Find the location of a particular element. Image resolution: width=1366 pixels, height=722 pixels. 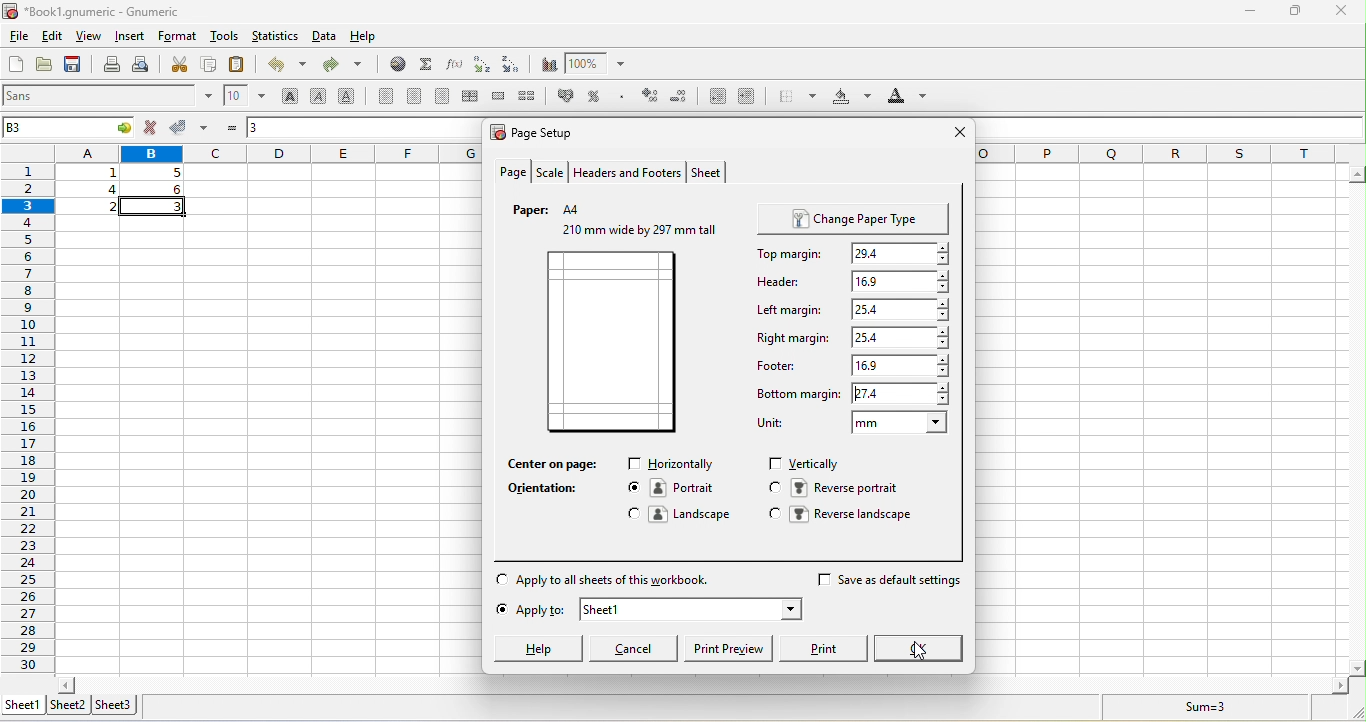

book 1 gnumeric- gnumeric is located at coordinates (102, 11).